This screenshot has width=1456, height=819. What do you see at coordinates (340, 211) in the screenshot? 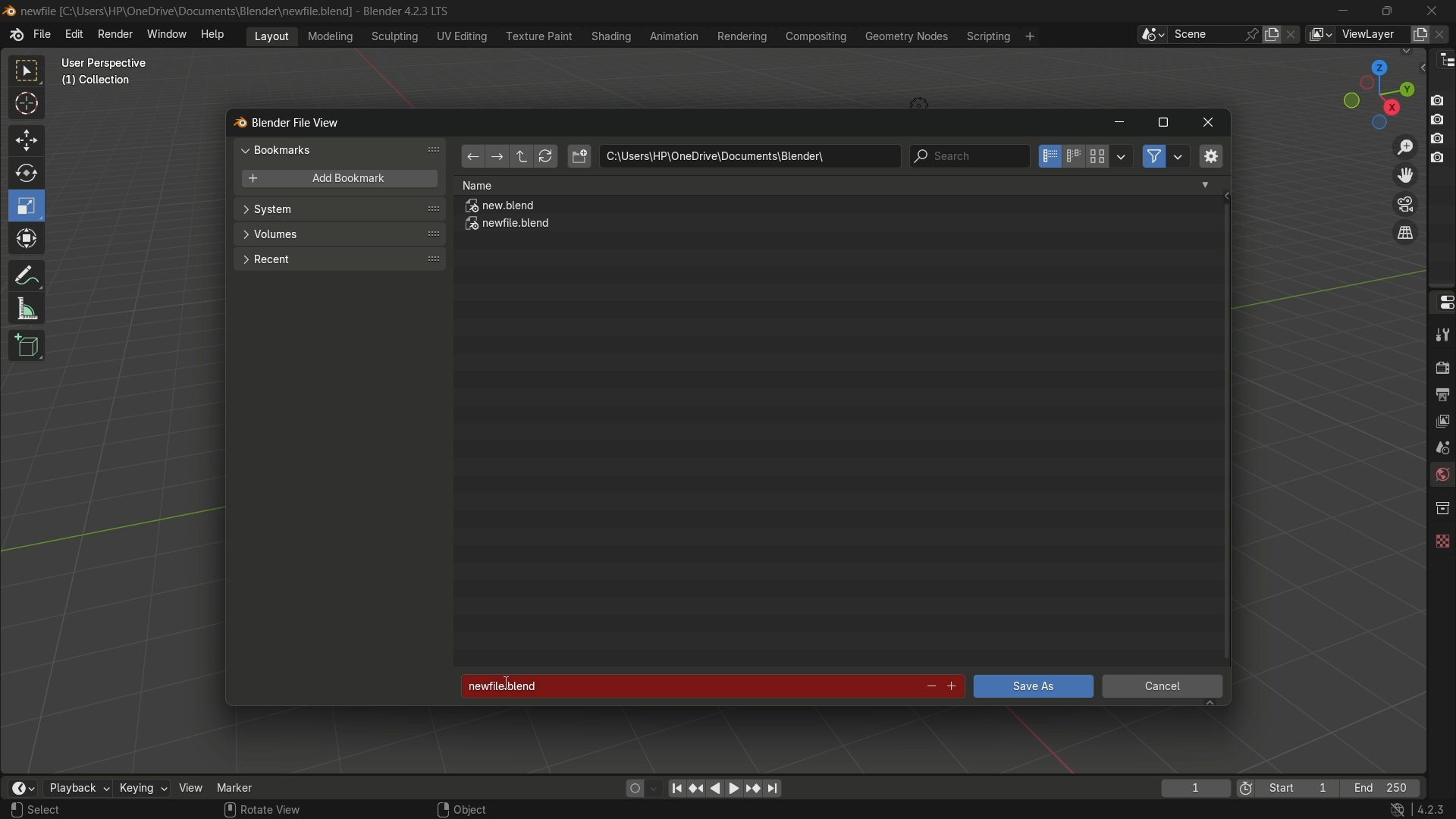
I see `system` at bounding box center [340, 211].